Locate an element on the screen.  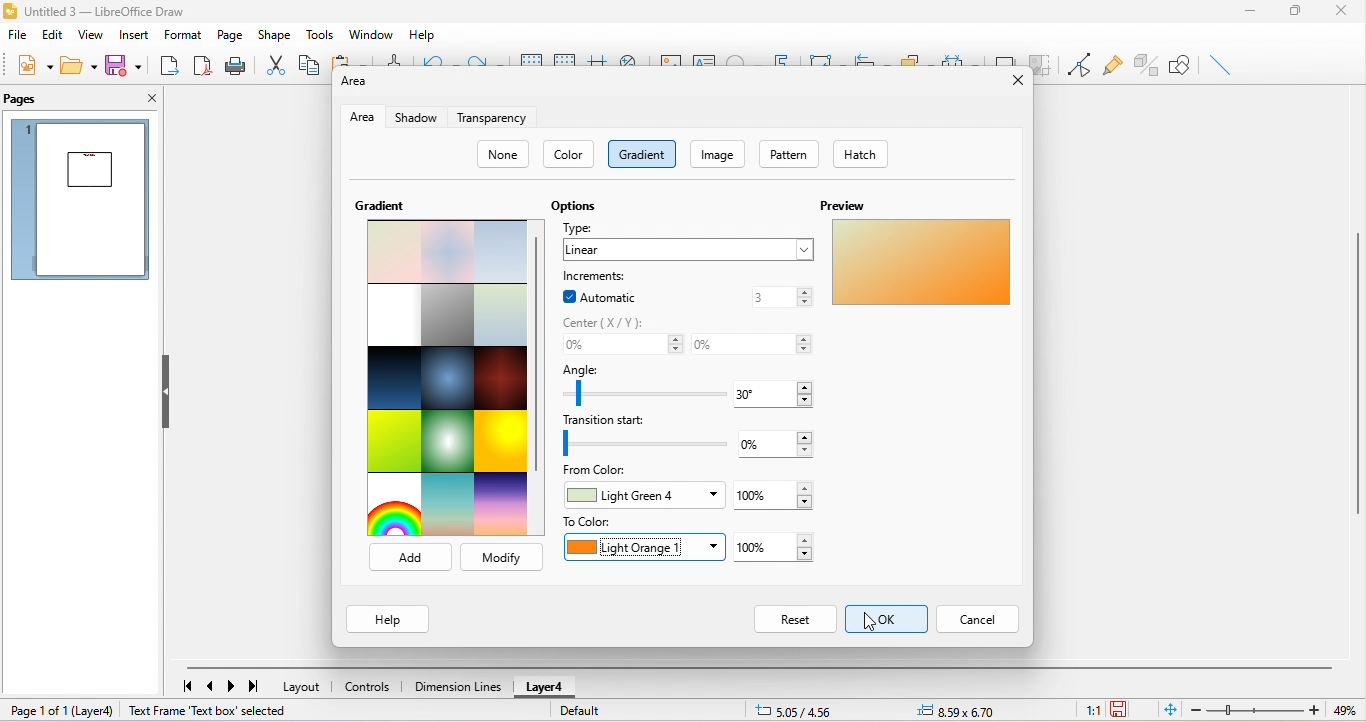
set transition start is located at coordinates (643, 444).